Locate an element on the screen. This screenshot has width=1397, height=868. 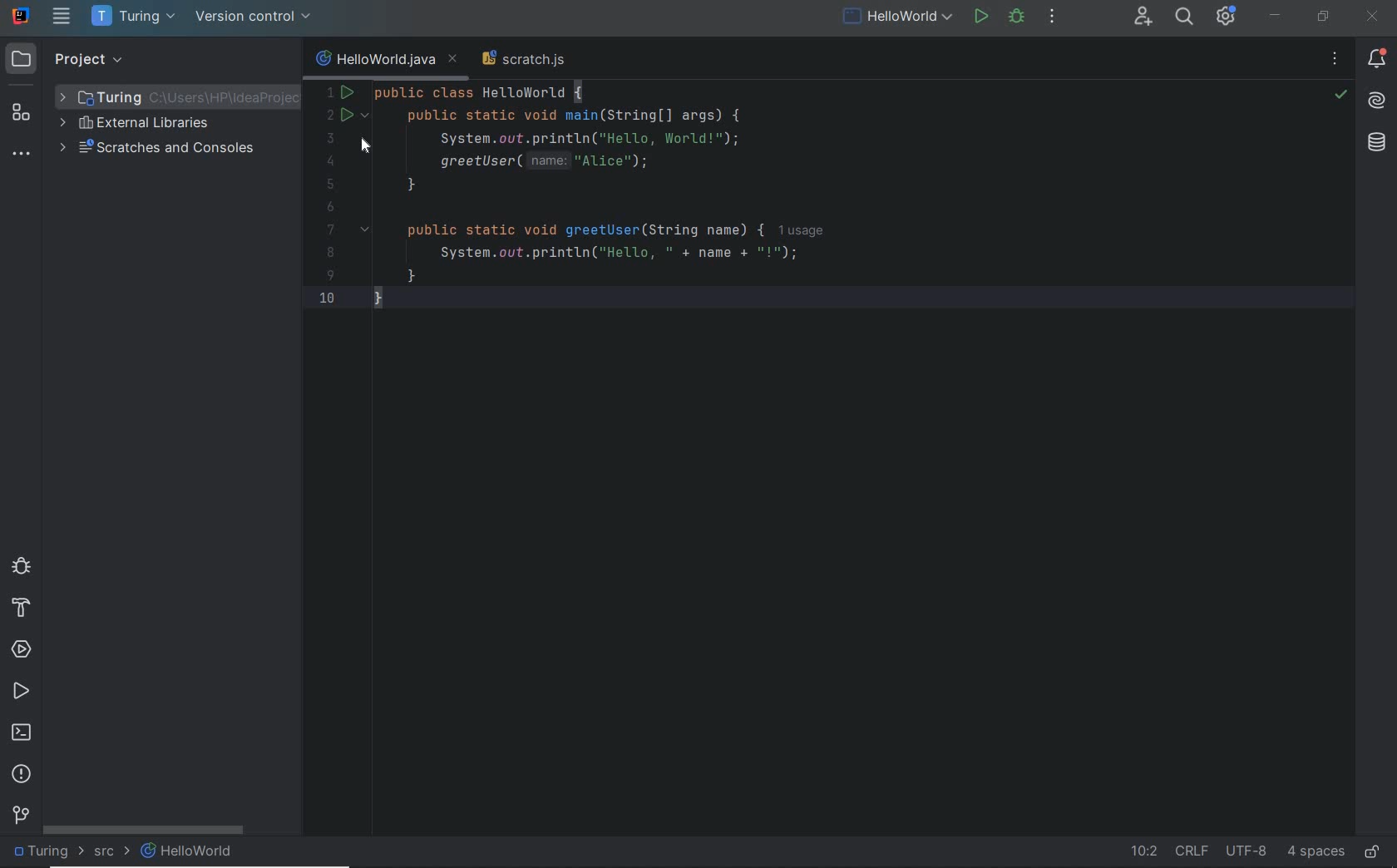
system name is located at coordinates (21, 16).